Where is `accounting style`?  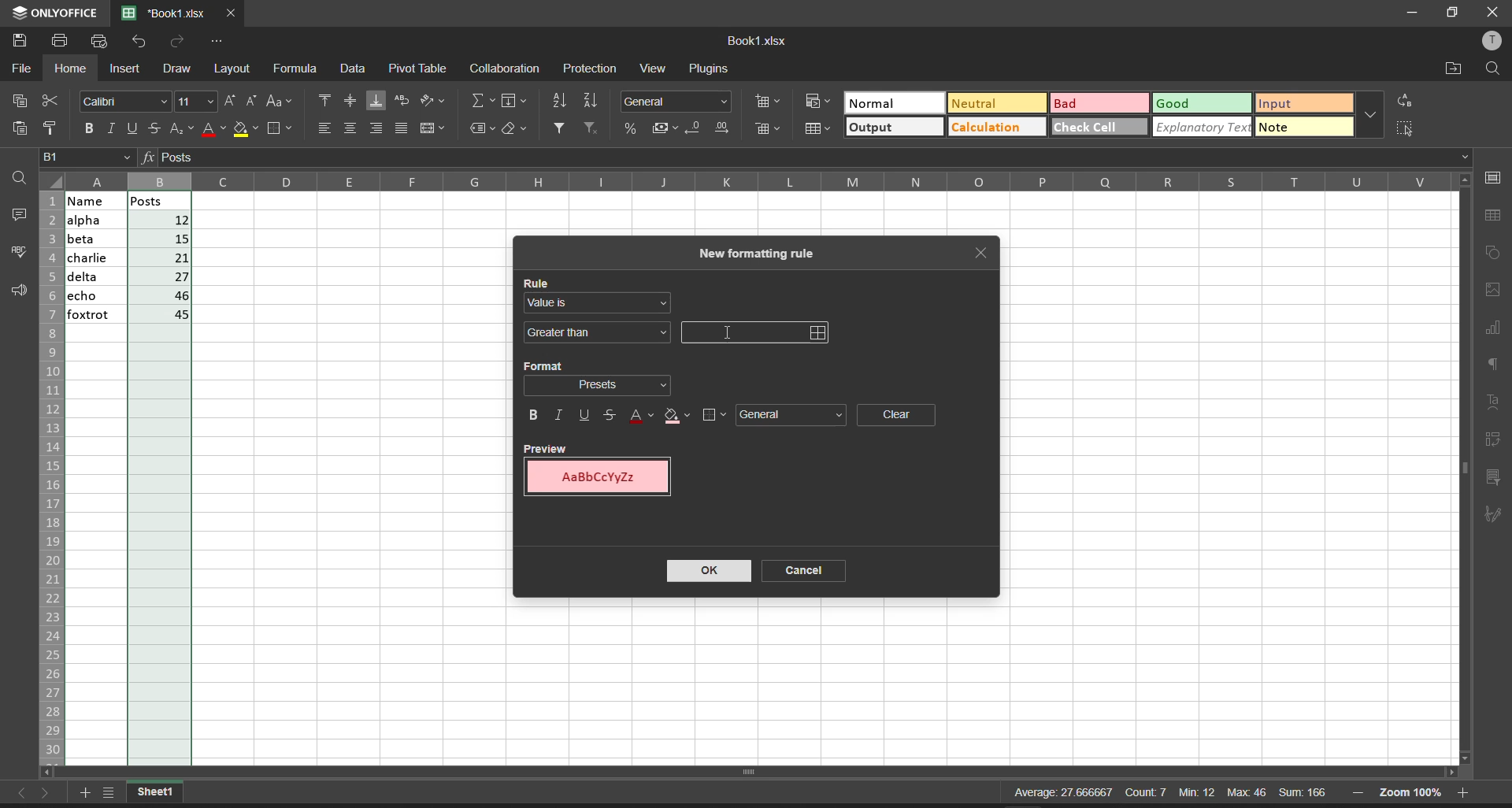
accounting style is located at coordinates (661, 125).